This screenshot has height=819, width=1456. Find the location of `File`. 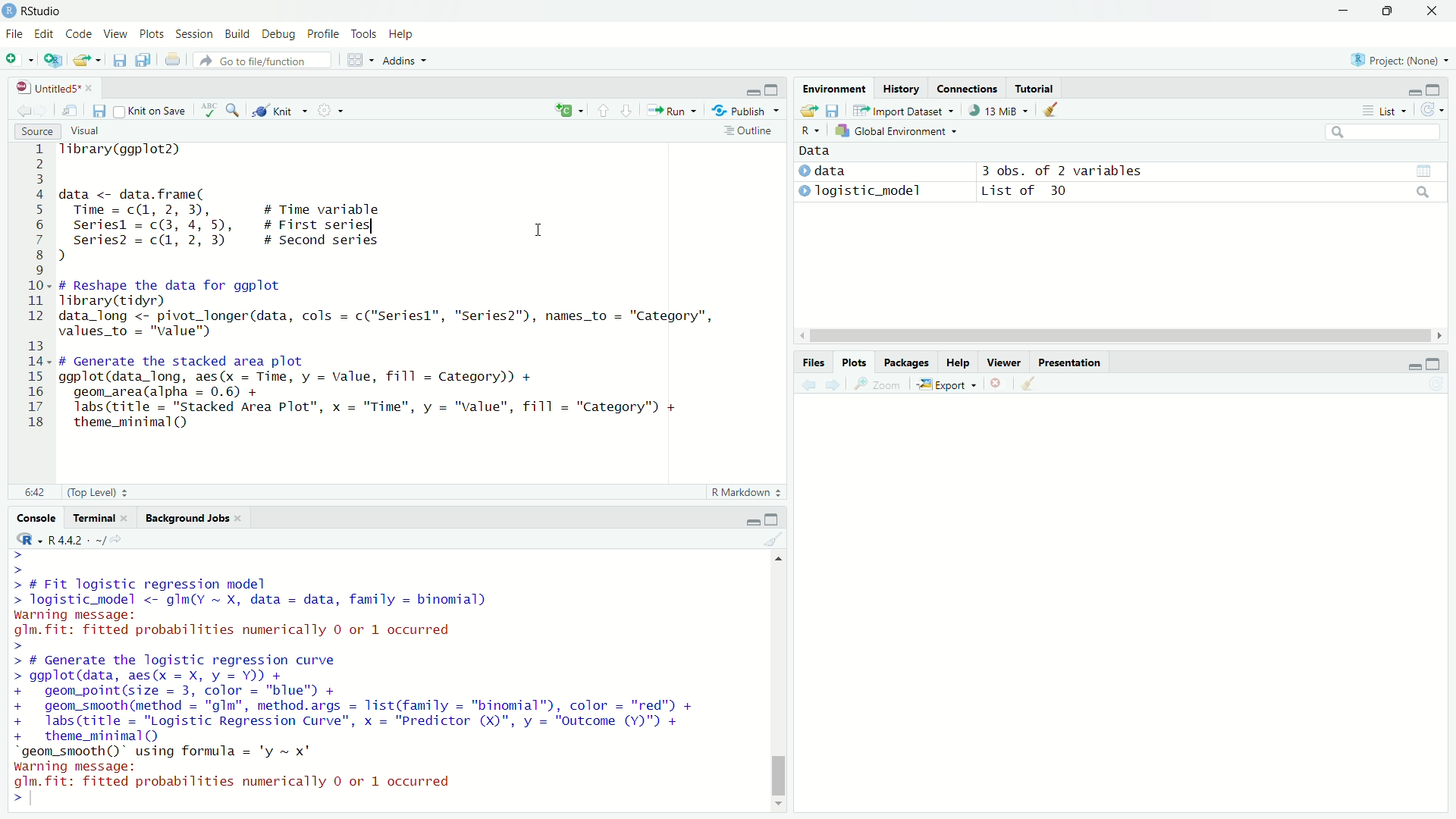

File is located at coordinates (15, 35).